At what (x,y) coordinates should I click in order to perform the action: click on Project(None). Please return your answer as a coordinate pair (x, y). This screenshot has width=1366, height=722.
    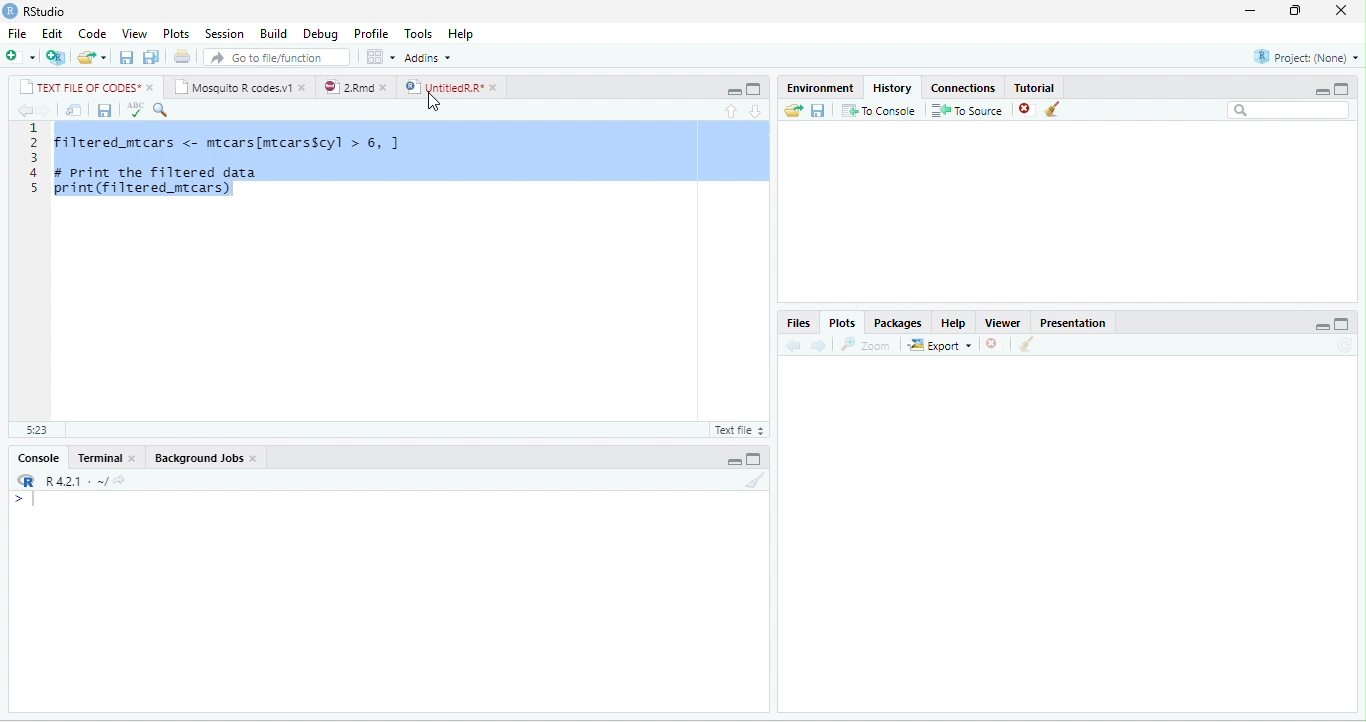
    Looking at the image, I should click on (1307, 57).